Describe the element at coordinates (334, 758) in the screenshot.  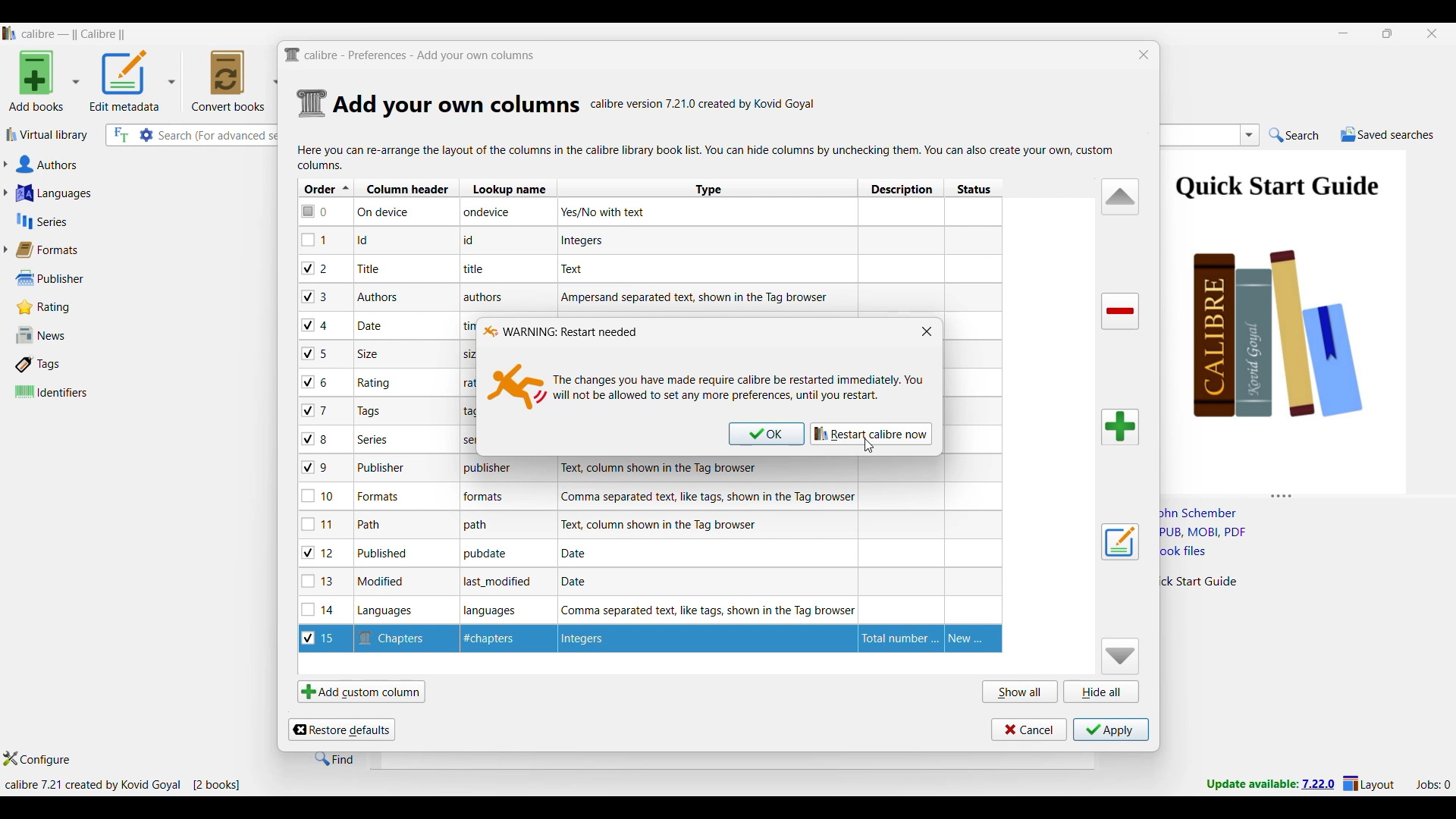
I see `Find` at that location.